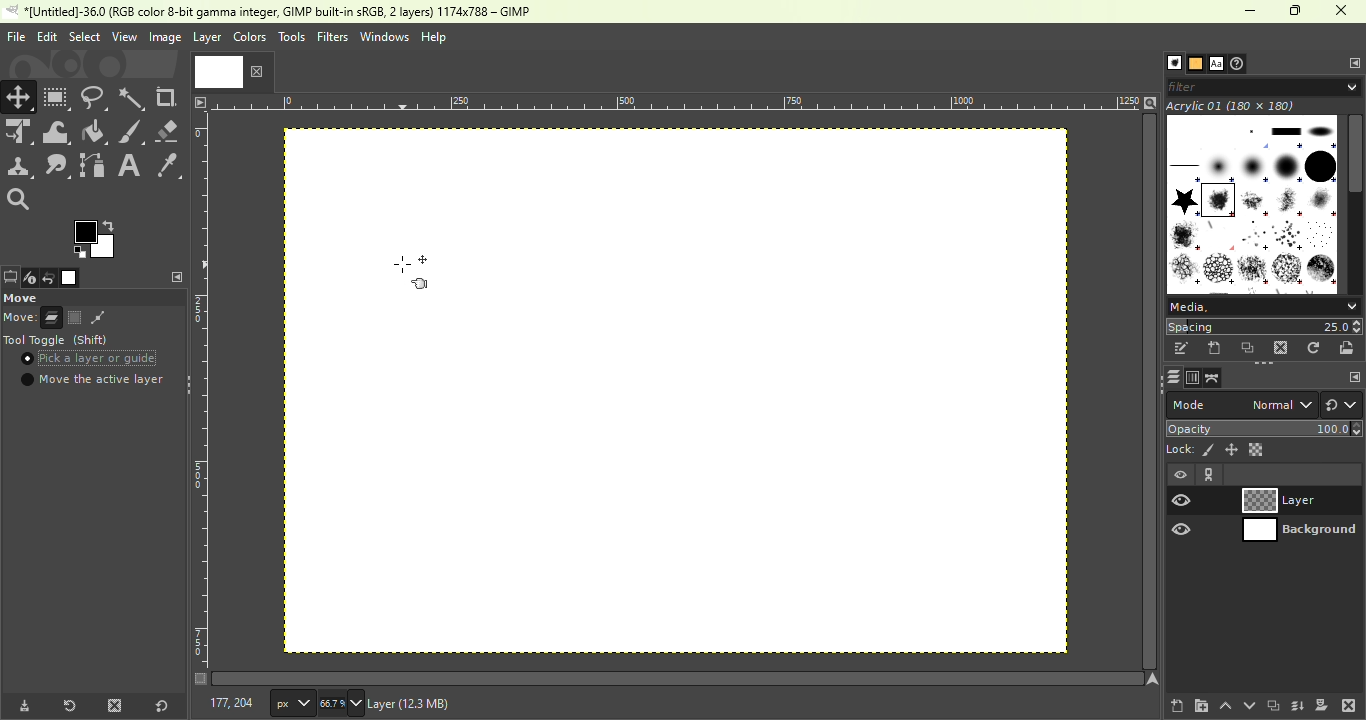 This screenshot has height=720, width=1366. I want to click on Cursor, so click(29, 361).